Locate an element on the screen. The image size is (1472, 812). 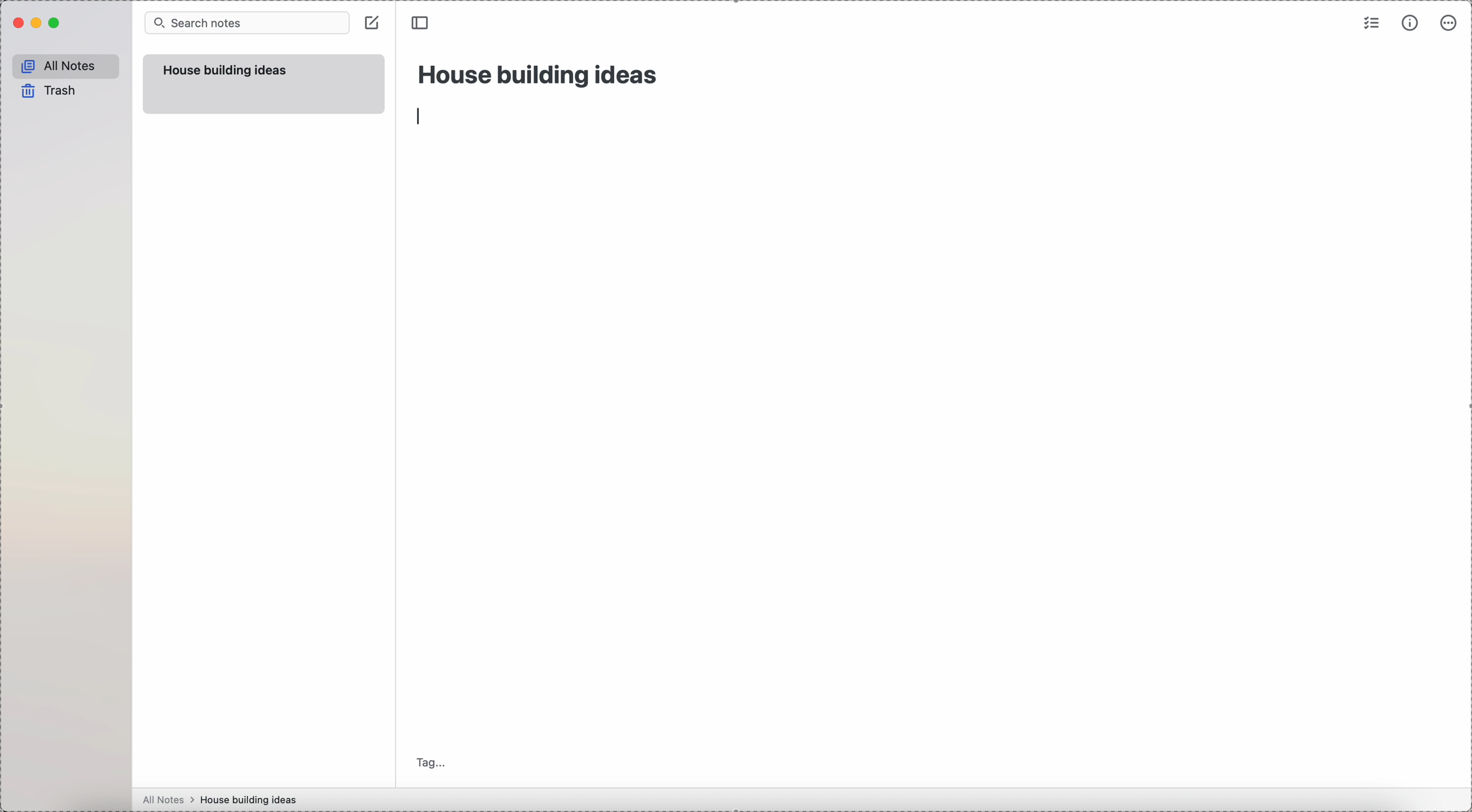
toggle sidebar is located at coordinates (422, 23).